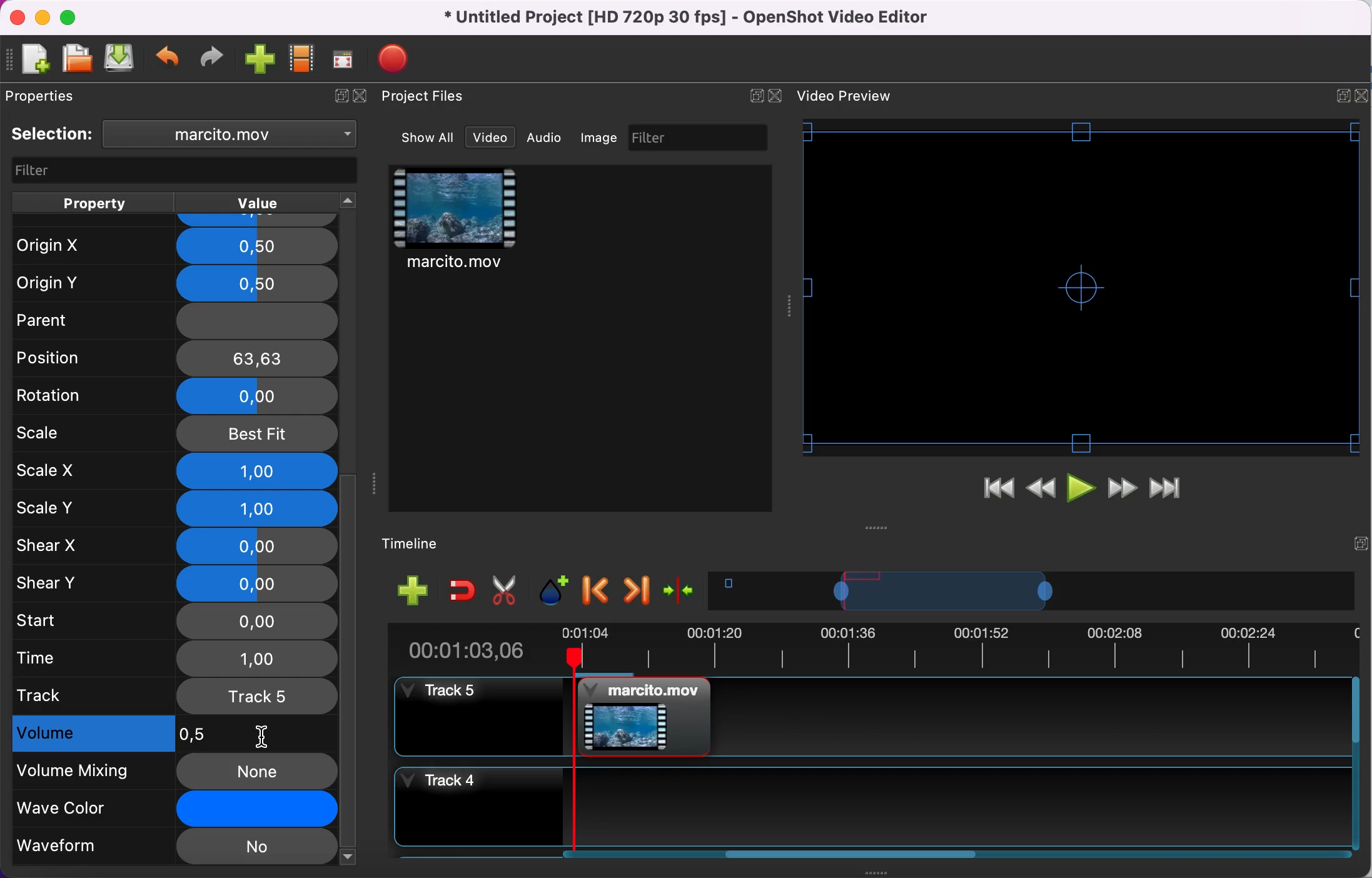  I want to click on vertical scroll bar, so click(350, 669).